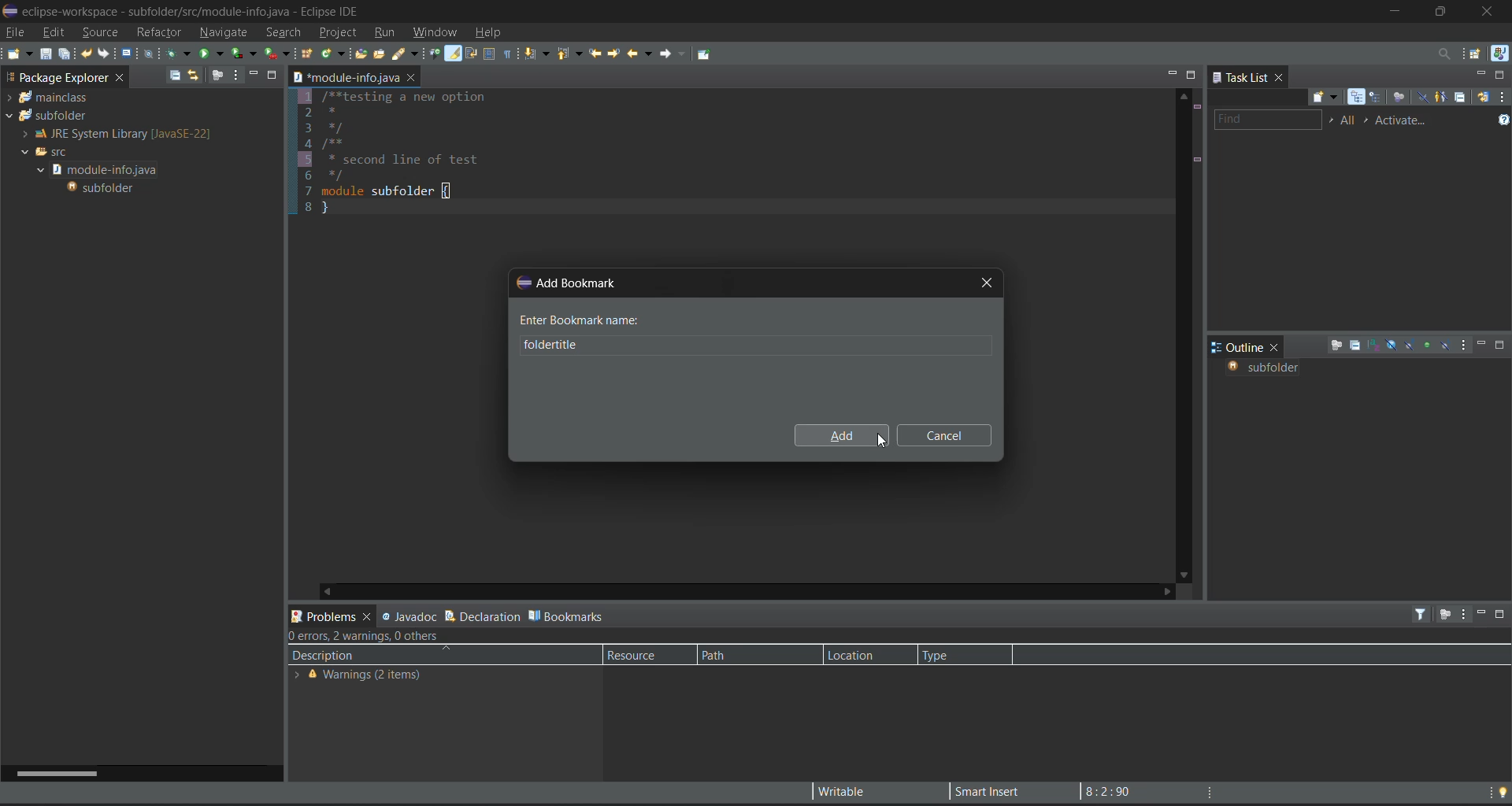 The height and width of the screenshot is (806, 1512). I want to click on bookmarks, so click(568, 615).